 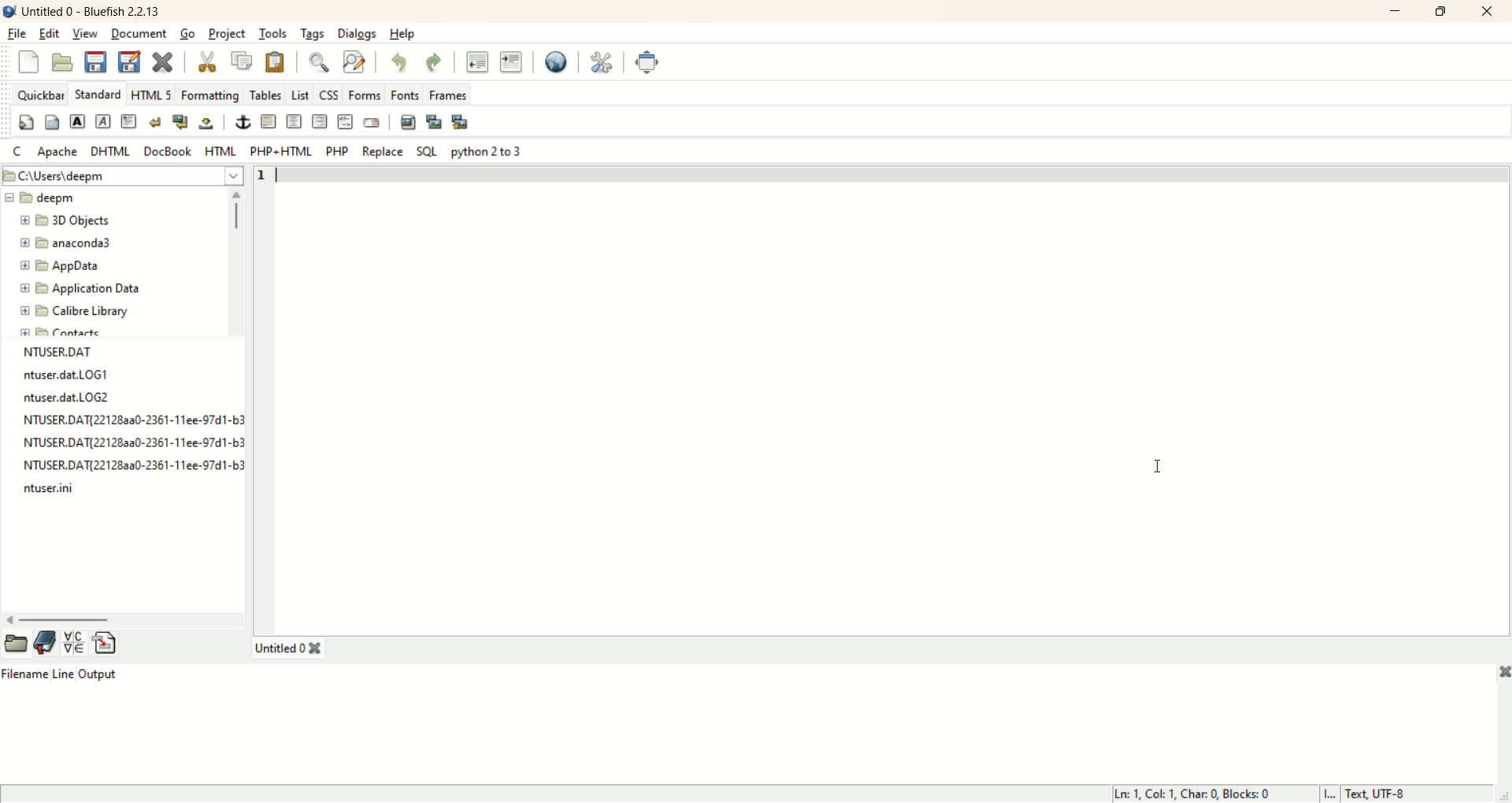 I want to click on emphasize, so click(x=103, y=122).